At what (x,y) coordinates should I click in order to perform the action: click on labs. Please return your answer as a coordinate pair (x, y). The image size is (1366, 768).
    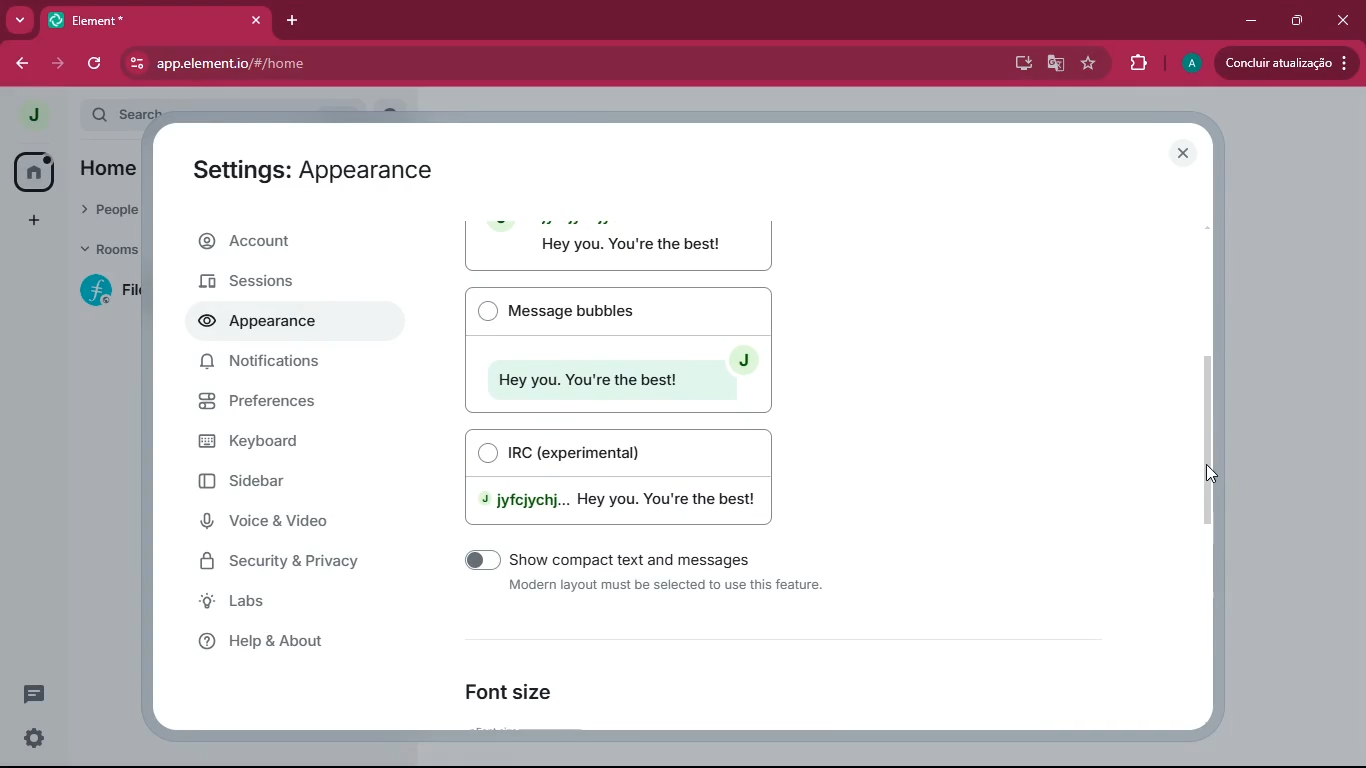
    Looking at the image, I should click on (282, 602).